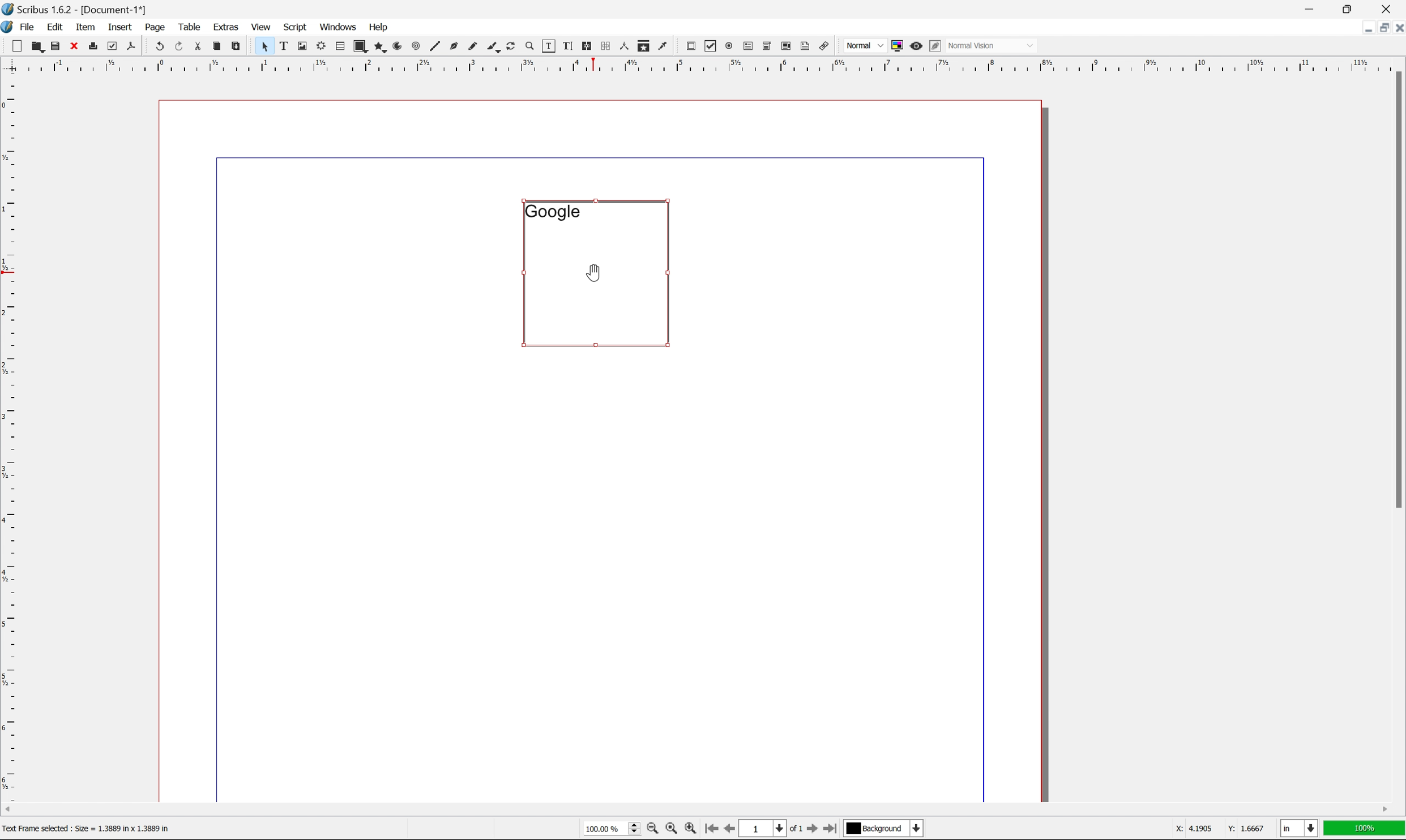 The height and width of the screenshot is (840, 1406). What do you see at coordinates (264, 48) in the screenshot?
I see `select frame` at bounding box center [264, 48].